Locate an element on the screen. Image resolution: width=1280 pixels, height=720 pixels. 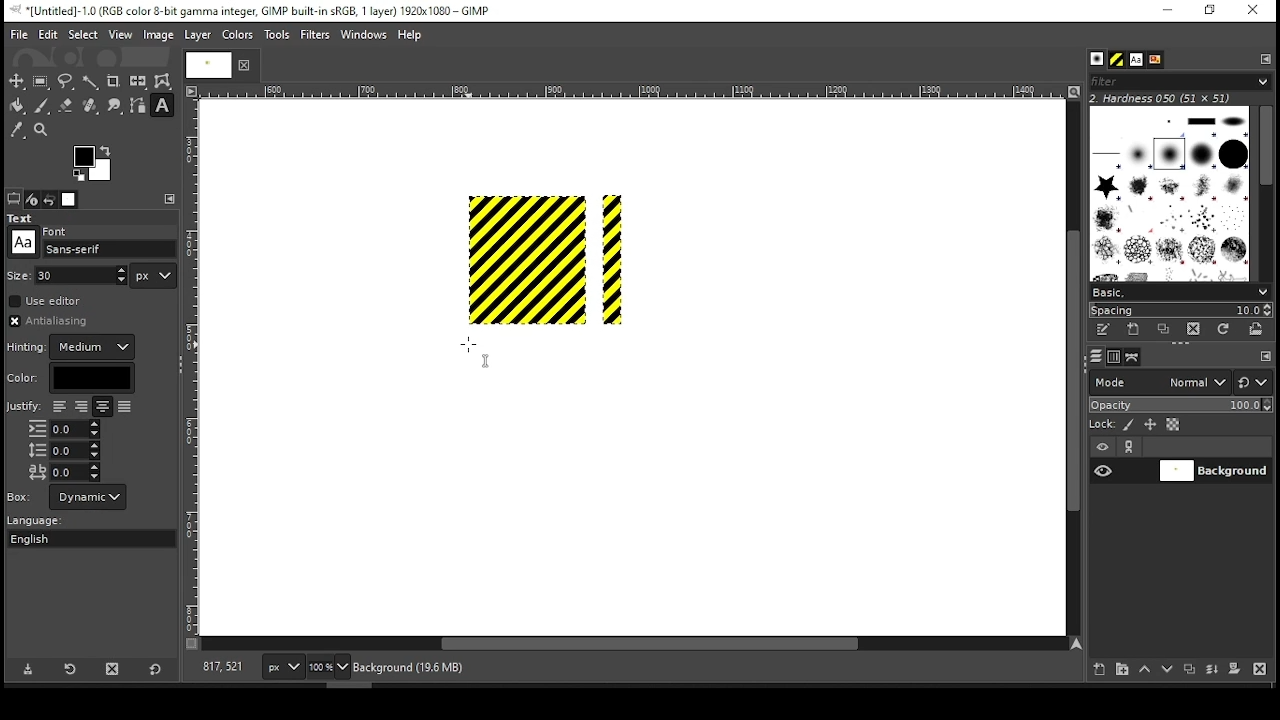
 is located at coordinates (485, 364).